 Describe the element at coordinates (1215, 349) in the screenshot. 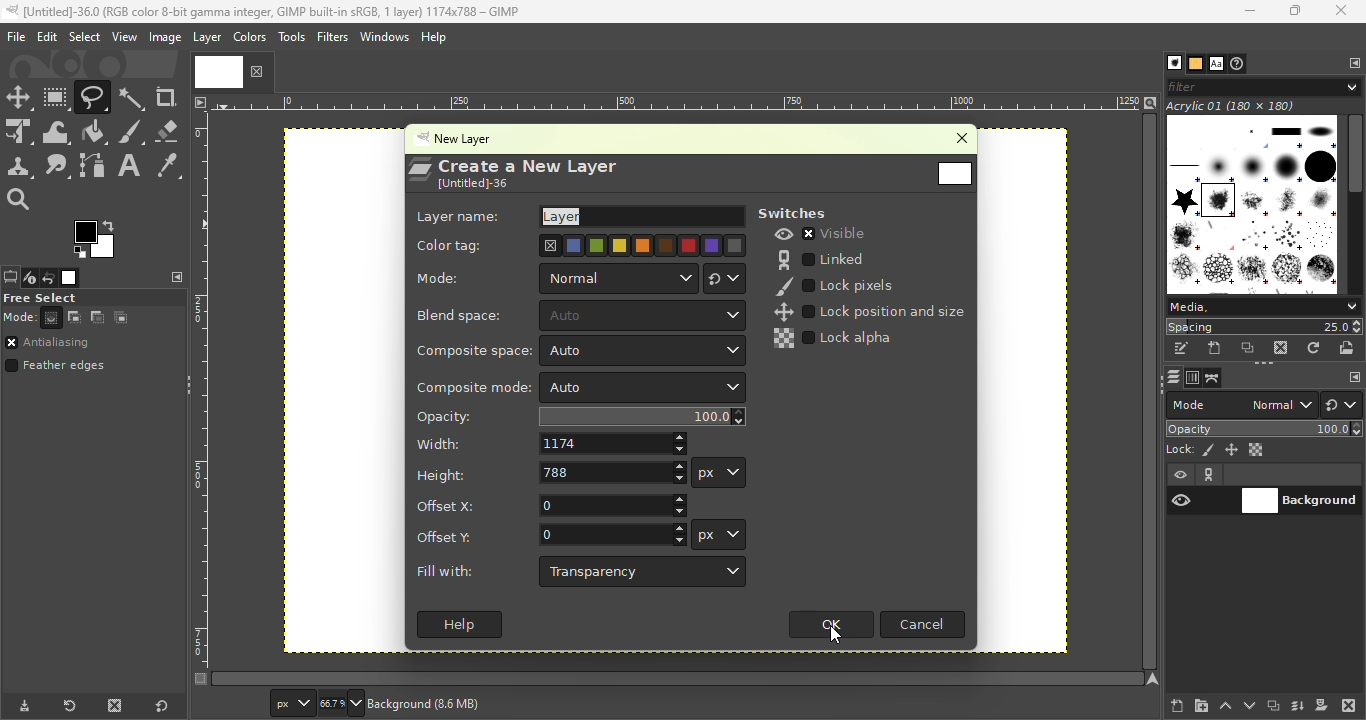

I see `Create a new brush` at that location.